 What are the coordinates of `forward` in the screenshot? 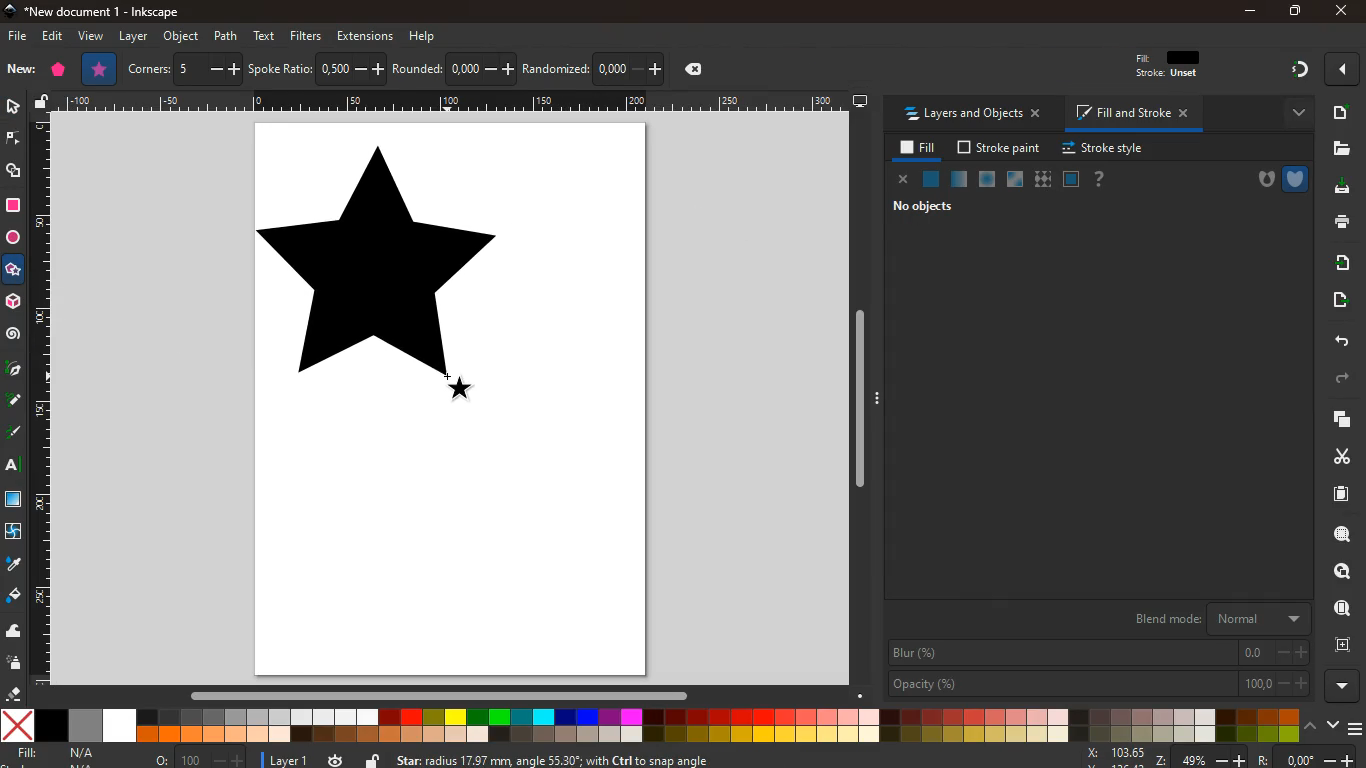 It's located at (1334, 380).